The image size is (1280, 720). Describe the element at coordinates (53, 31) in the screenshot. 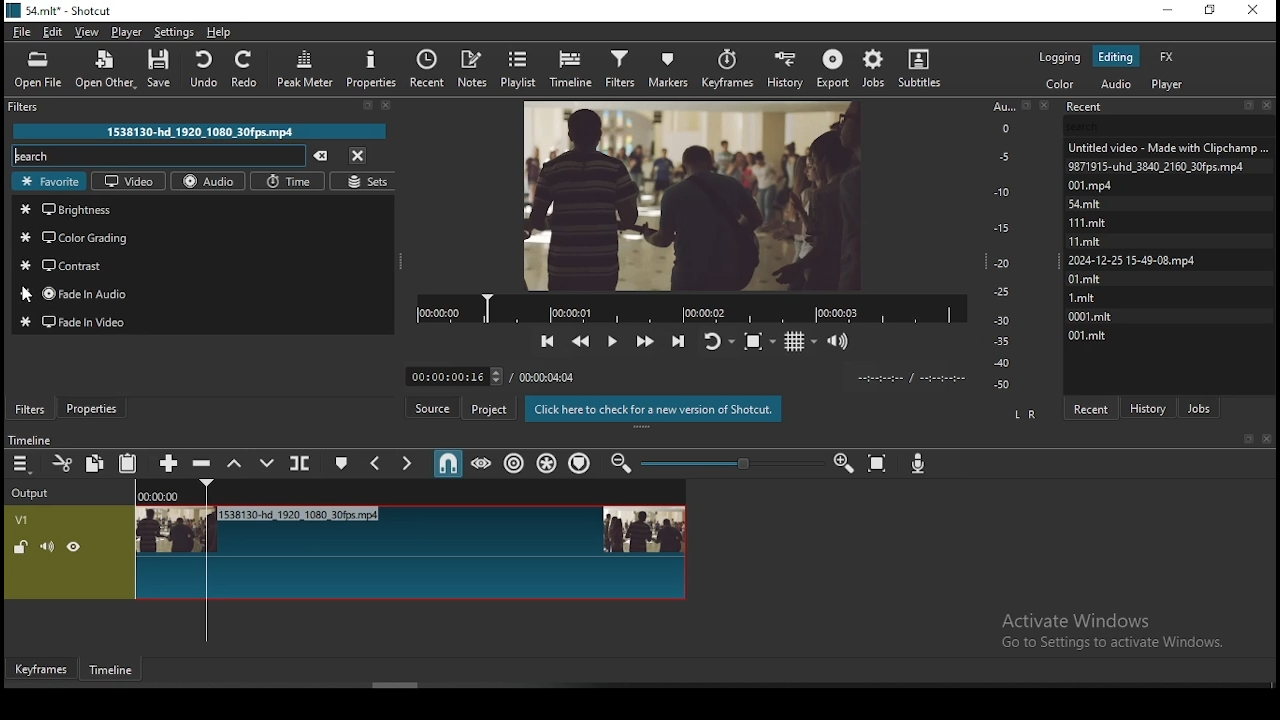

I see `edit` at that location.